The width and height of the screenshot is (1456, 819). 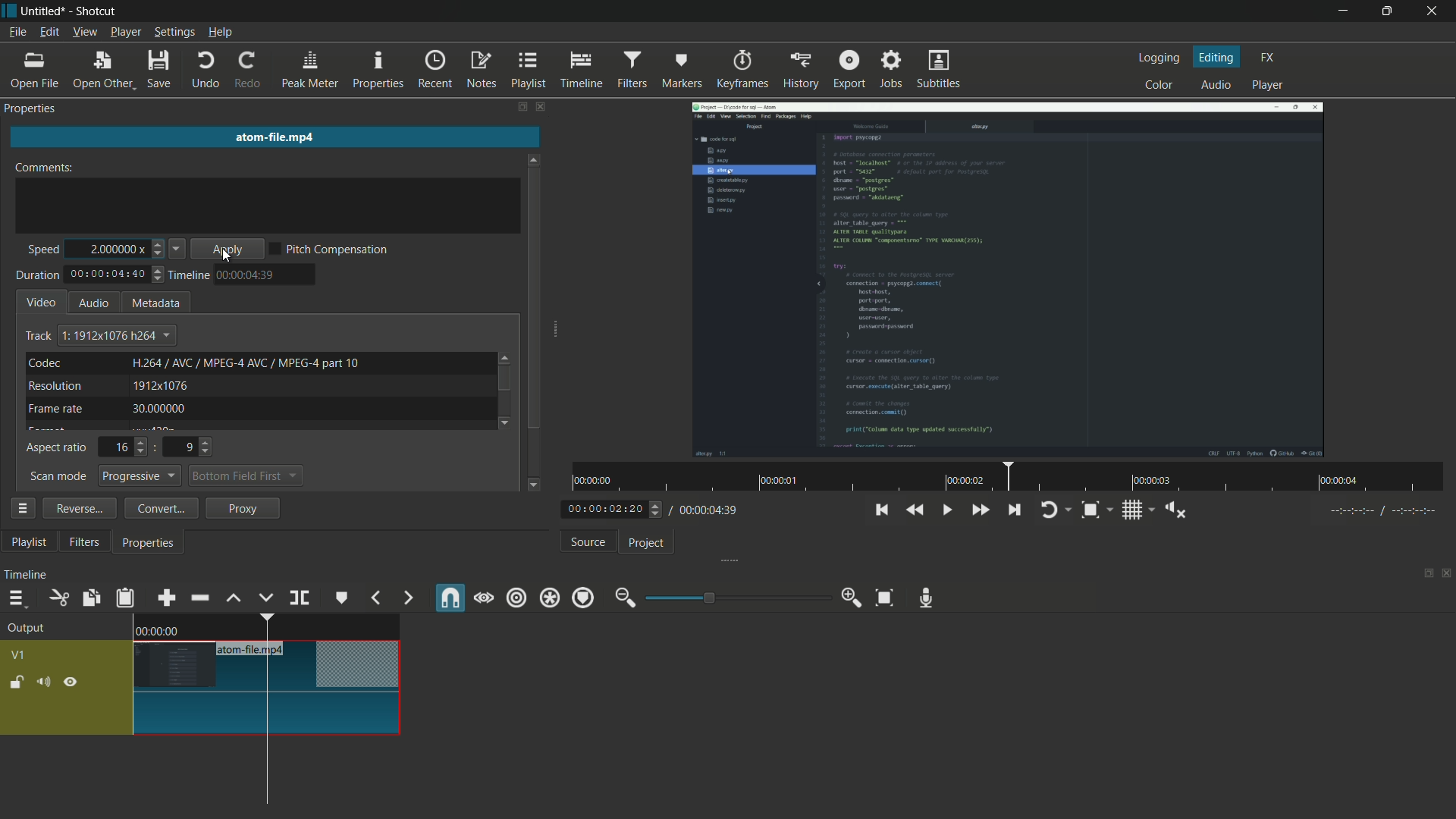 I want to click on decrease, so click(x=158, y=253).